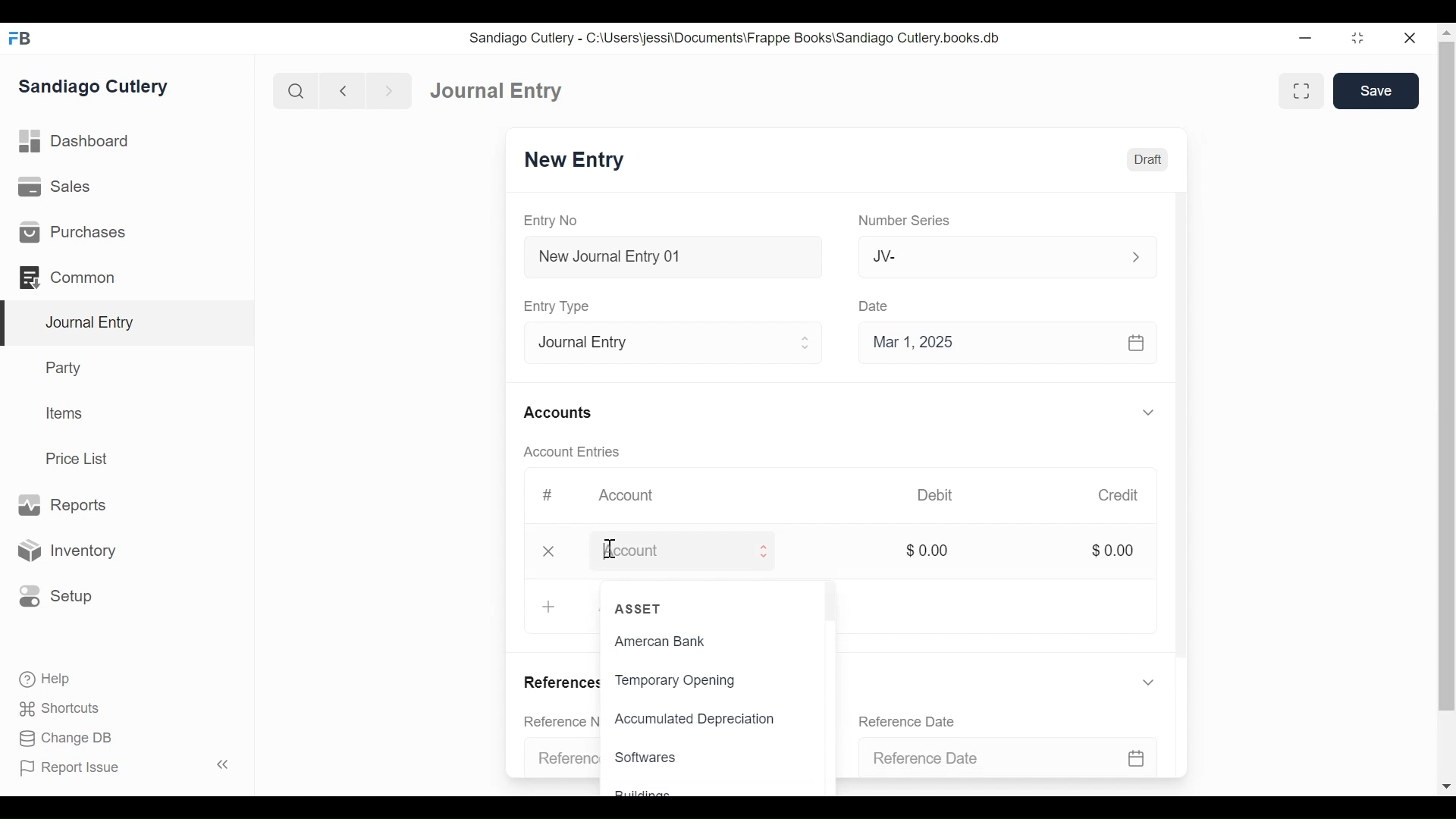 The height and width of the screenshot is (819, 1456). I want to click on Accounts, so click(566, 413).